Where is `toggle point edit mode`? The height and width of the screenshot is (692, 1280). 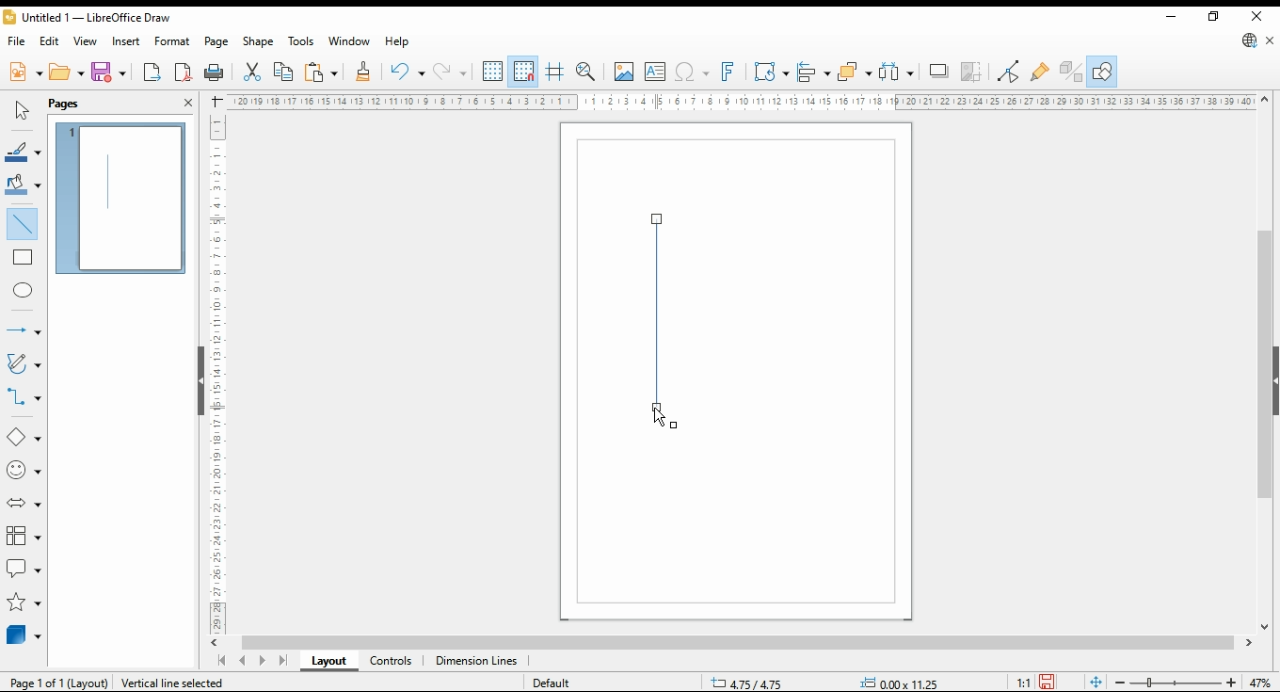
toggle point edit mode is located at coordinates (1010, 71).